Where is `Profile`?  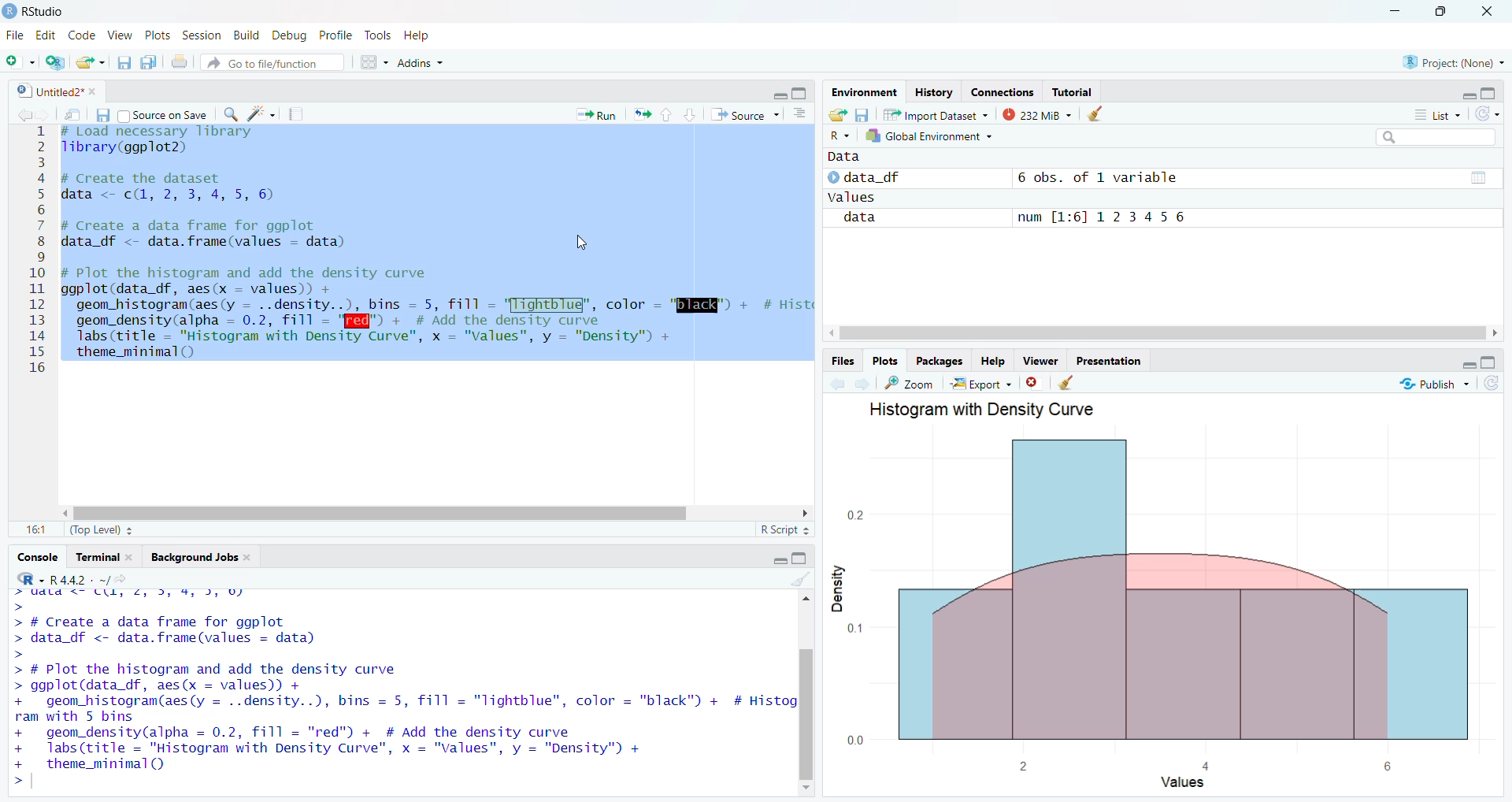 Profile is located at coordinates (334, 35).